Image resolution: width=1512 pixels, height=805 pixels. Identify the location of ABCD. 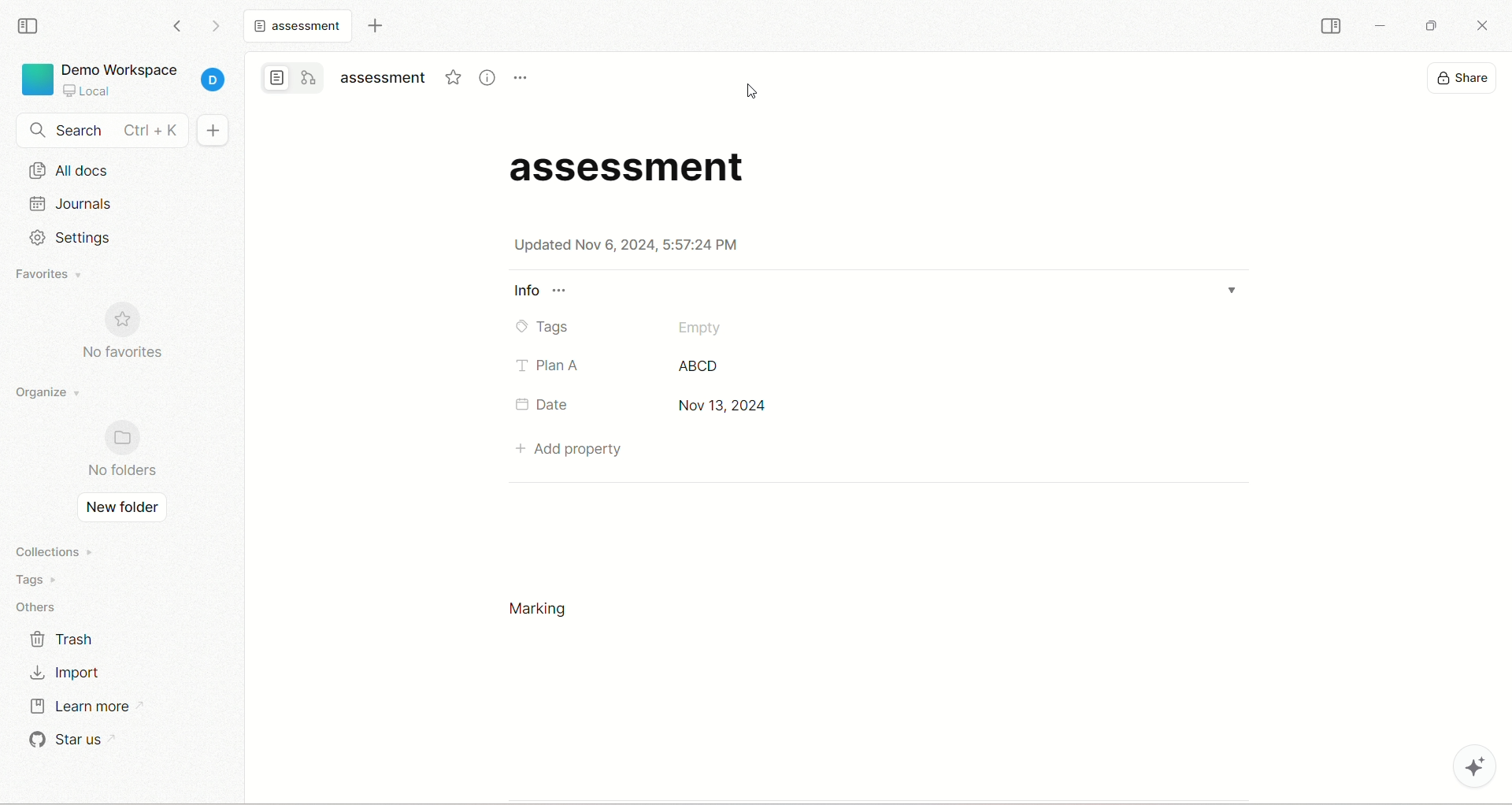
(699, 367).